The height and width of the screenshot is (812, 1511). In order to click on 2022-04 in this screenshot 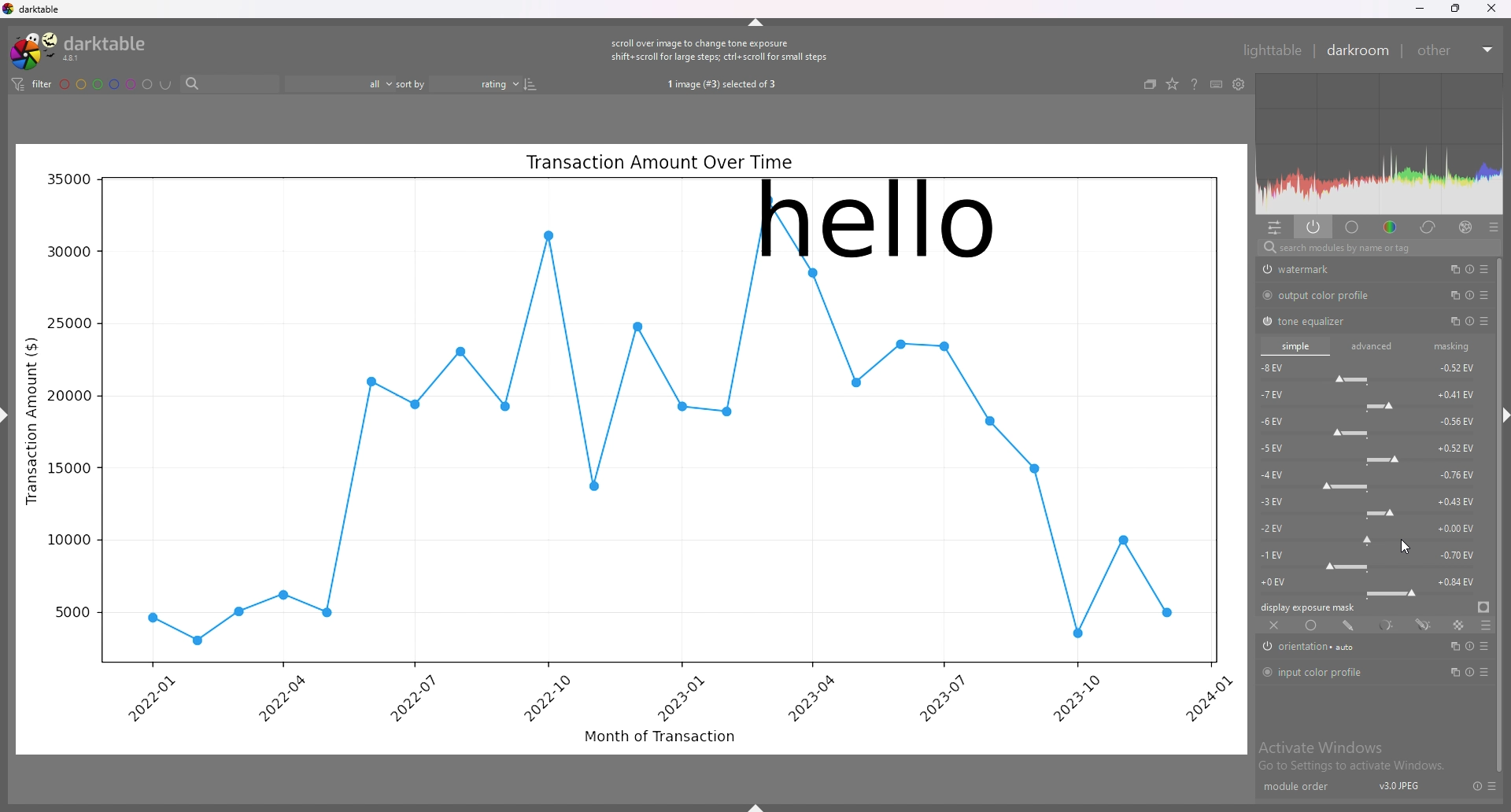, I will do `click(281, 698)`.